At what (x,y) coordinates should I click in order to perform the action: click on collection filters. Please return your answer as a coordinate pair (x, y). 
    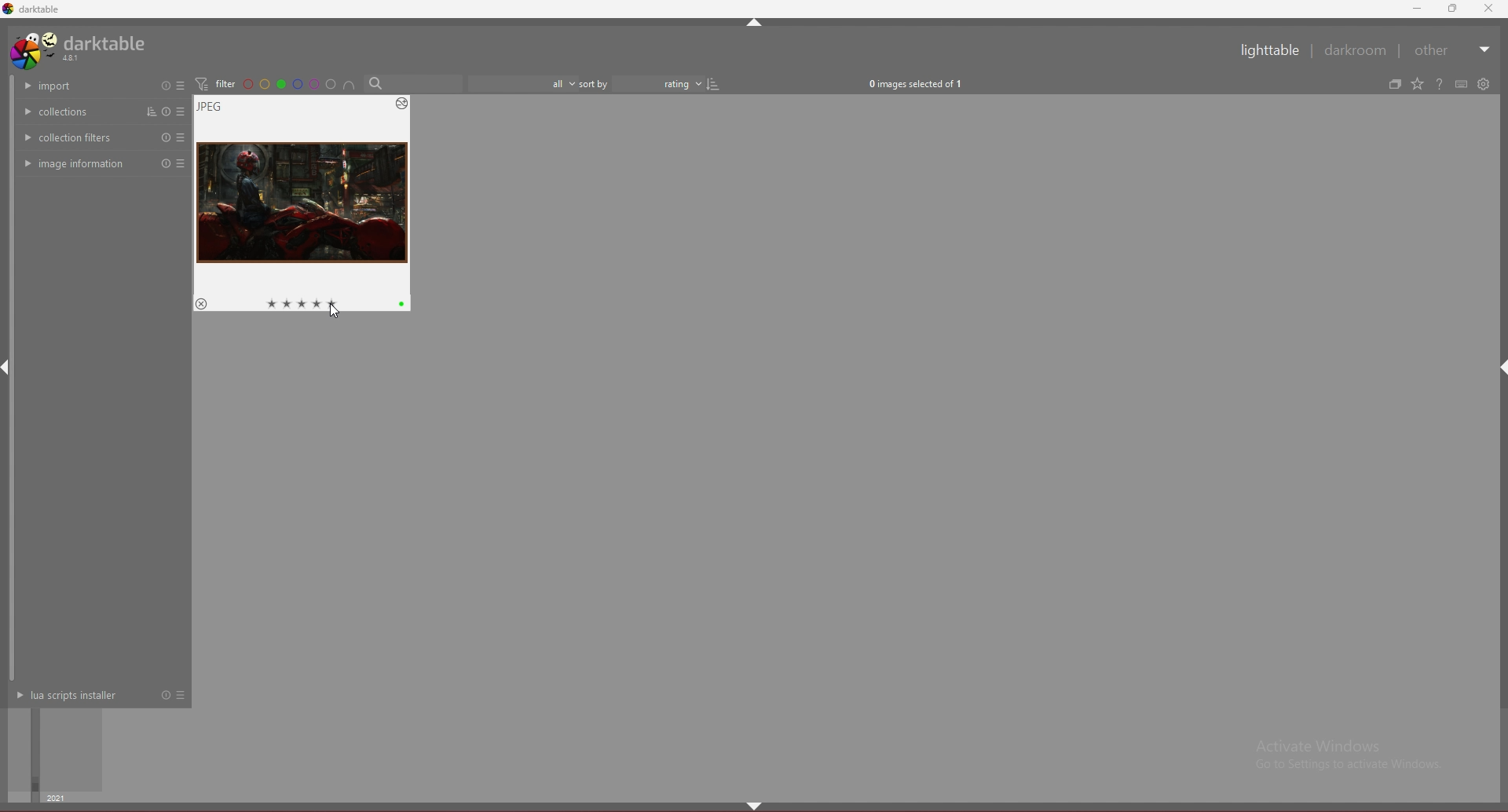
    Looking at the image, I should click on (74, 137).